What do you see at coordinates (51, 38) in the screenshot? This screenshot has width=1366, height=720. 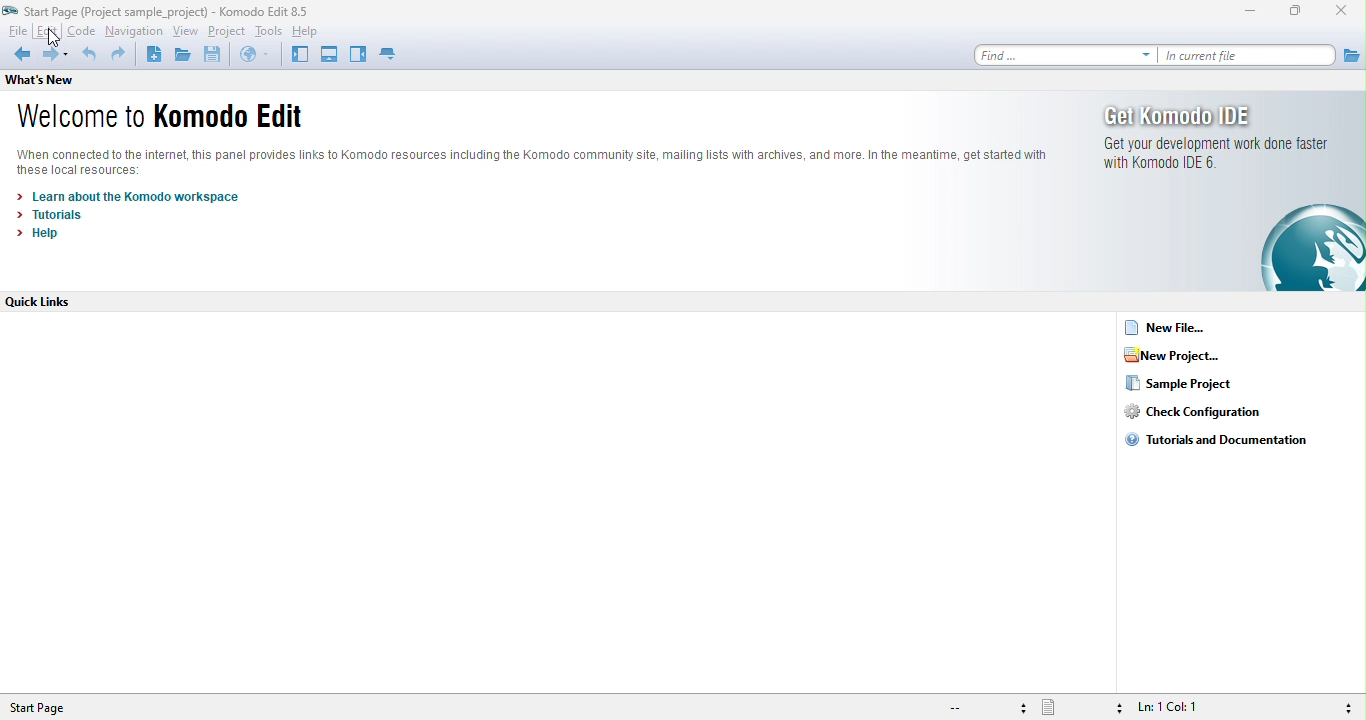 I see `cursor ` at bounding box center [51, 38].